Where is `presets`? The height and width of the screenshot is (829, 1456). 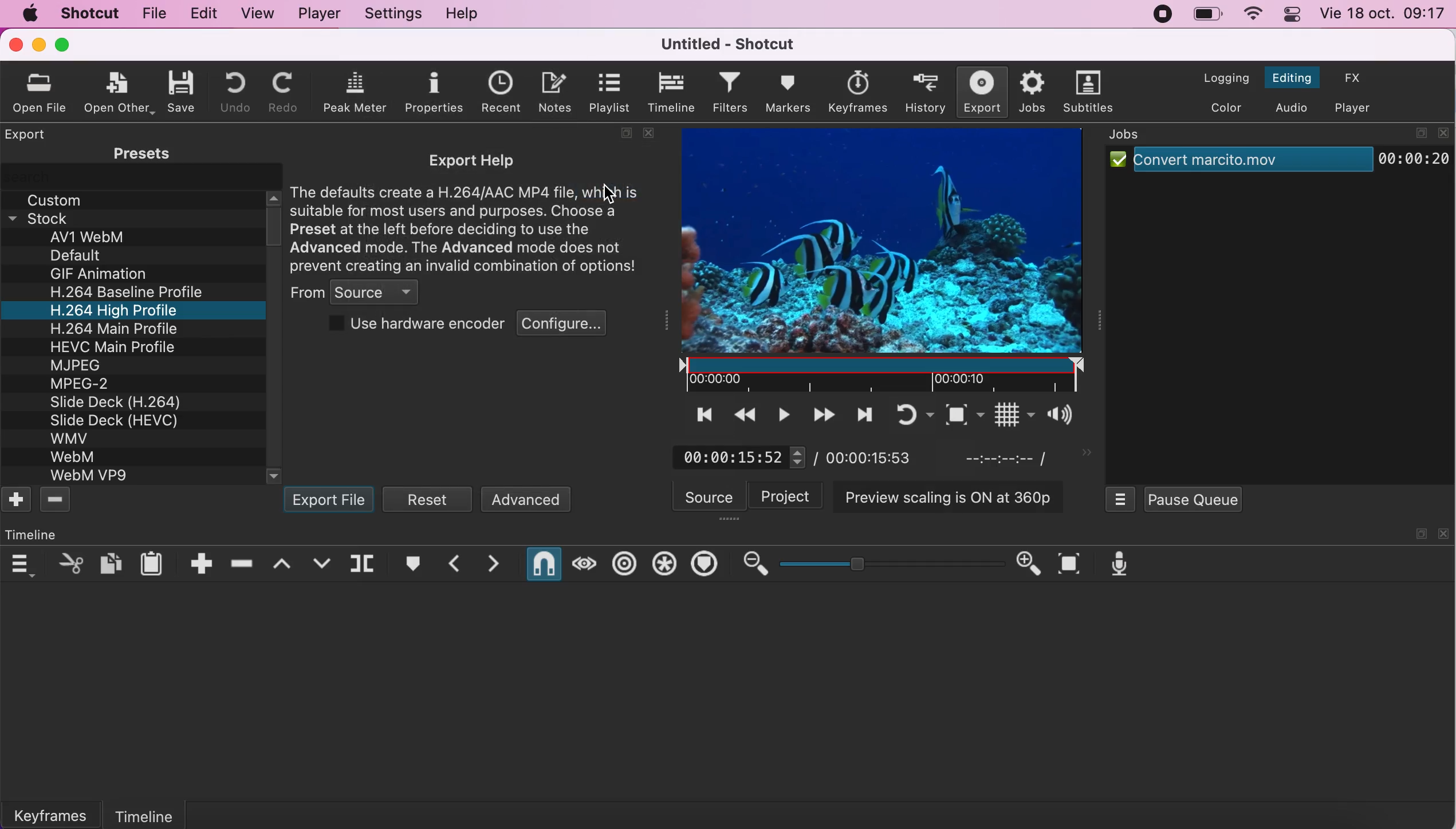
presets is located at coordinates (135, 153).